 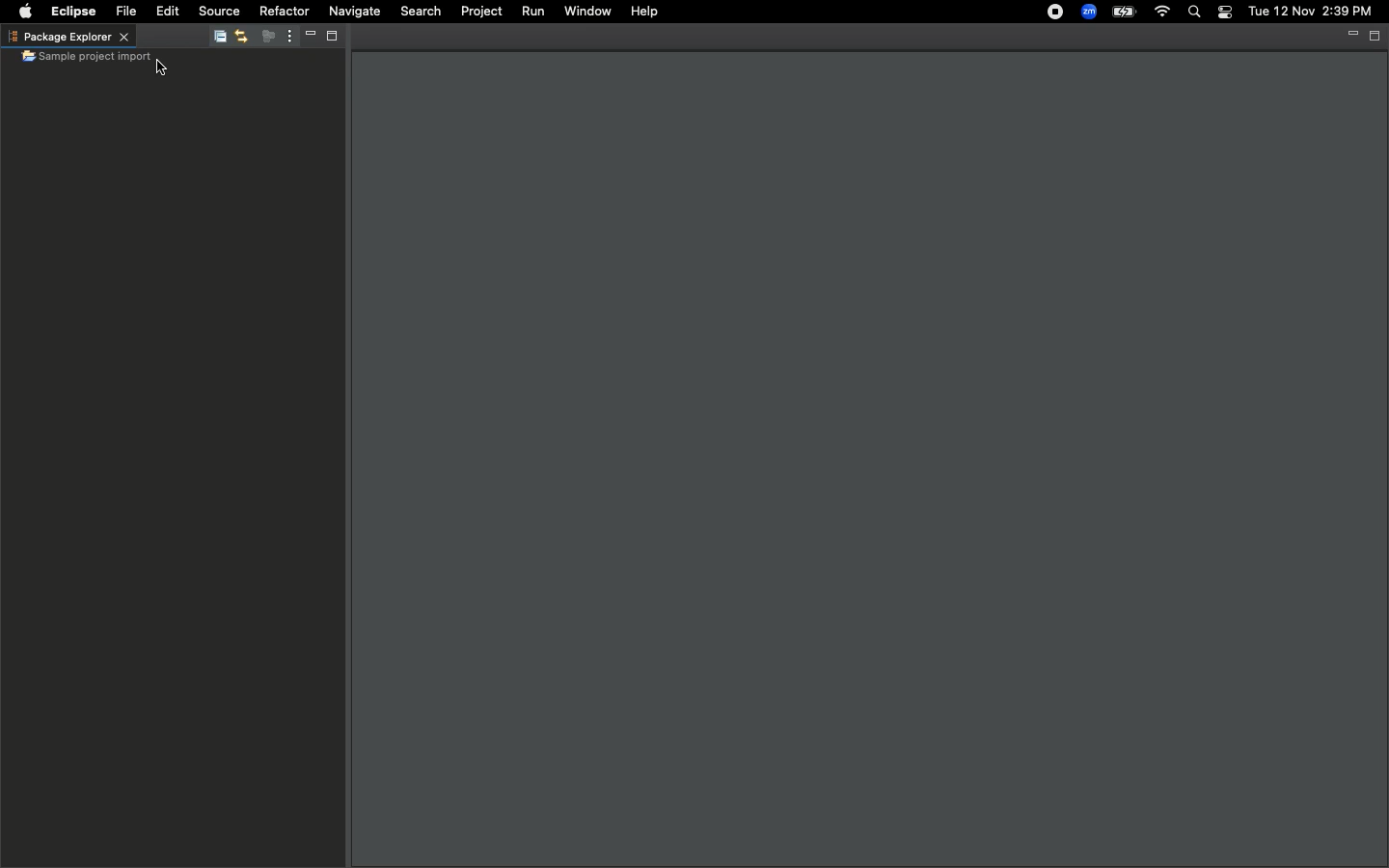 I want to click on Run, so click(x=535, y=12).